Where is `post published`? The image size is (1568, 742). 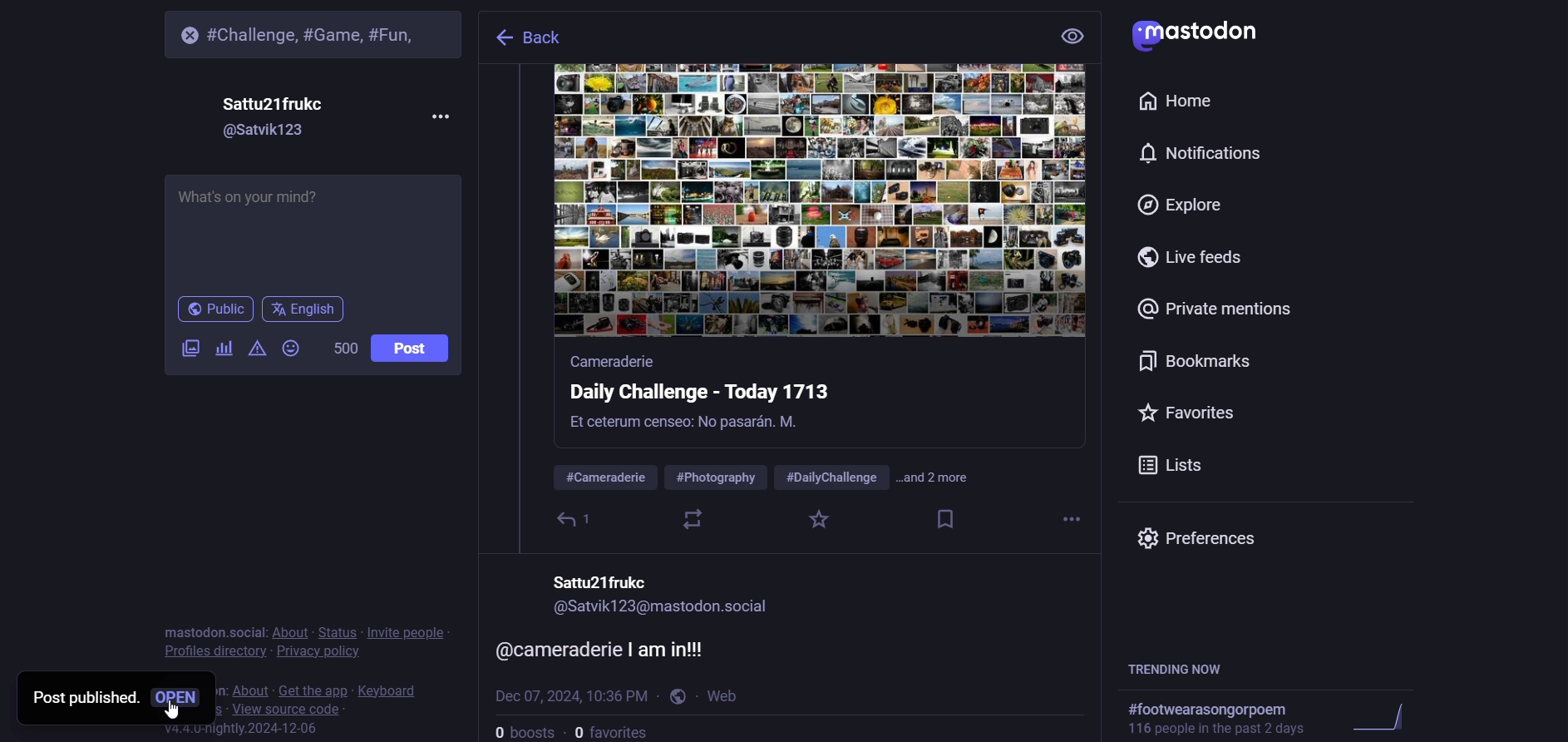
post published is located at coordinates (80, 696).